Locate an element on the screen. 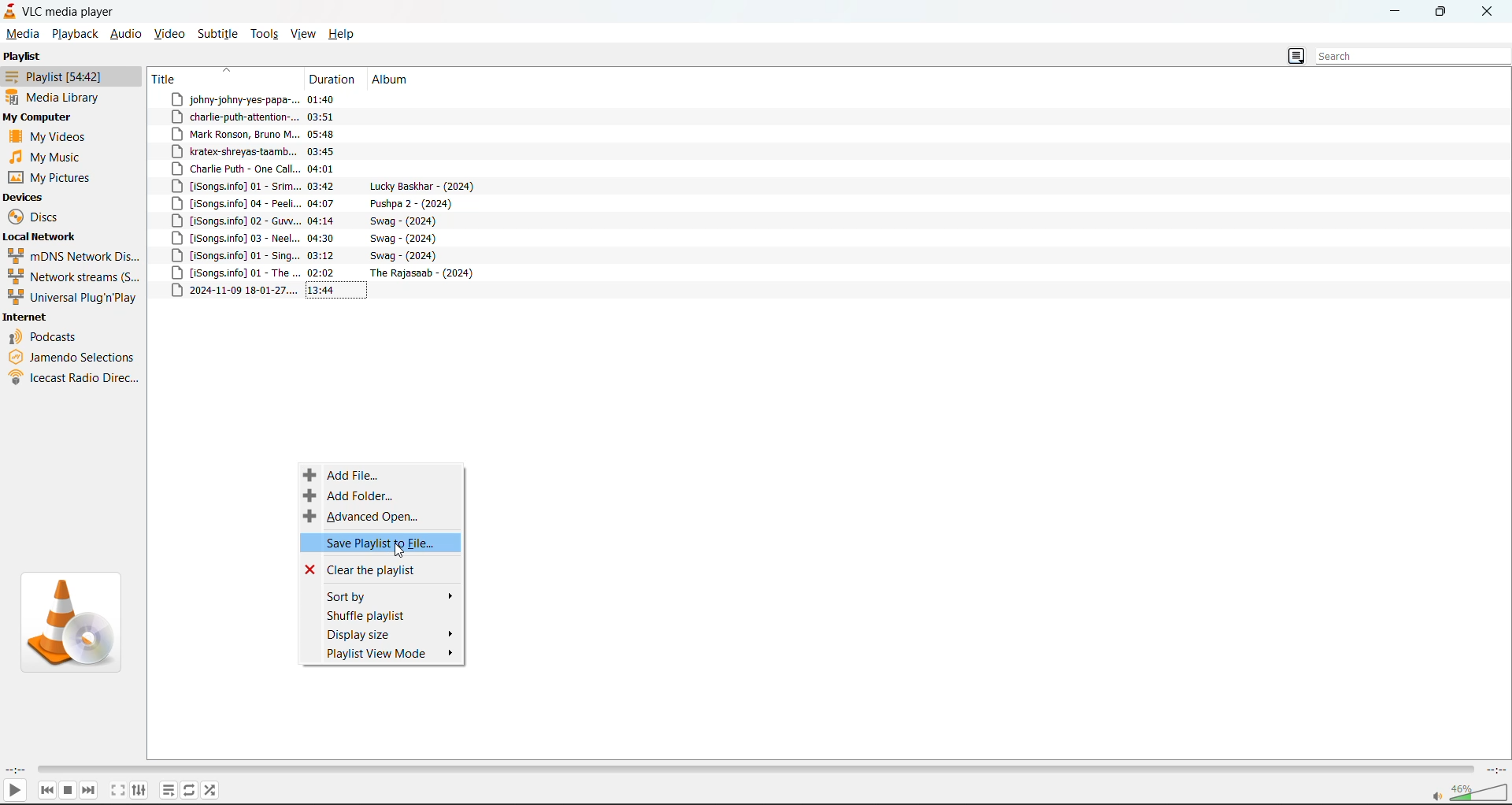 Image resolution: width=1512 pixels, height=805 pixels. pictures is located at coordinates (57, 178).